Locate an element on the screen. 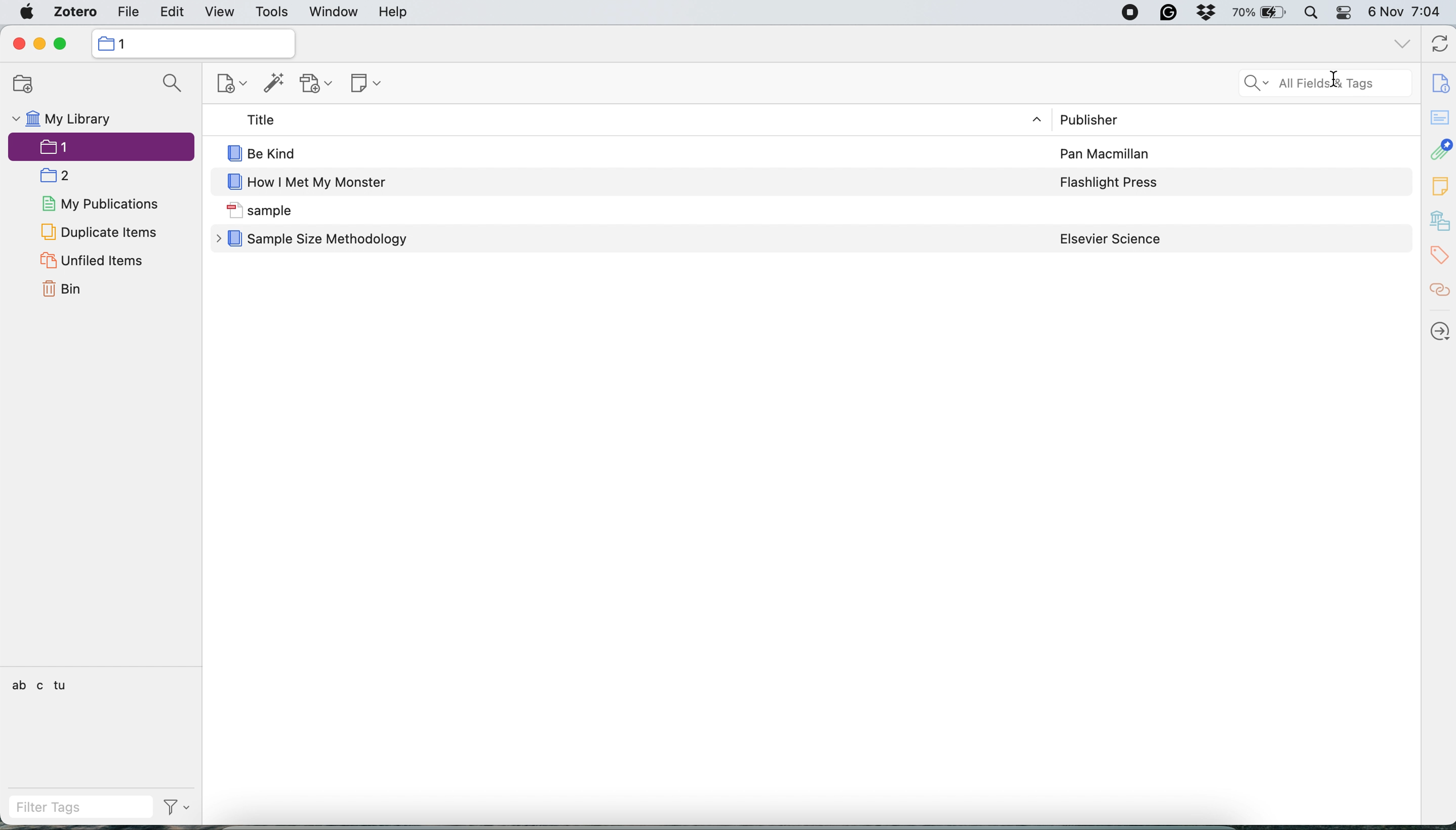  publisher is located at coordinates (1088, 119).